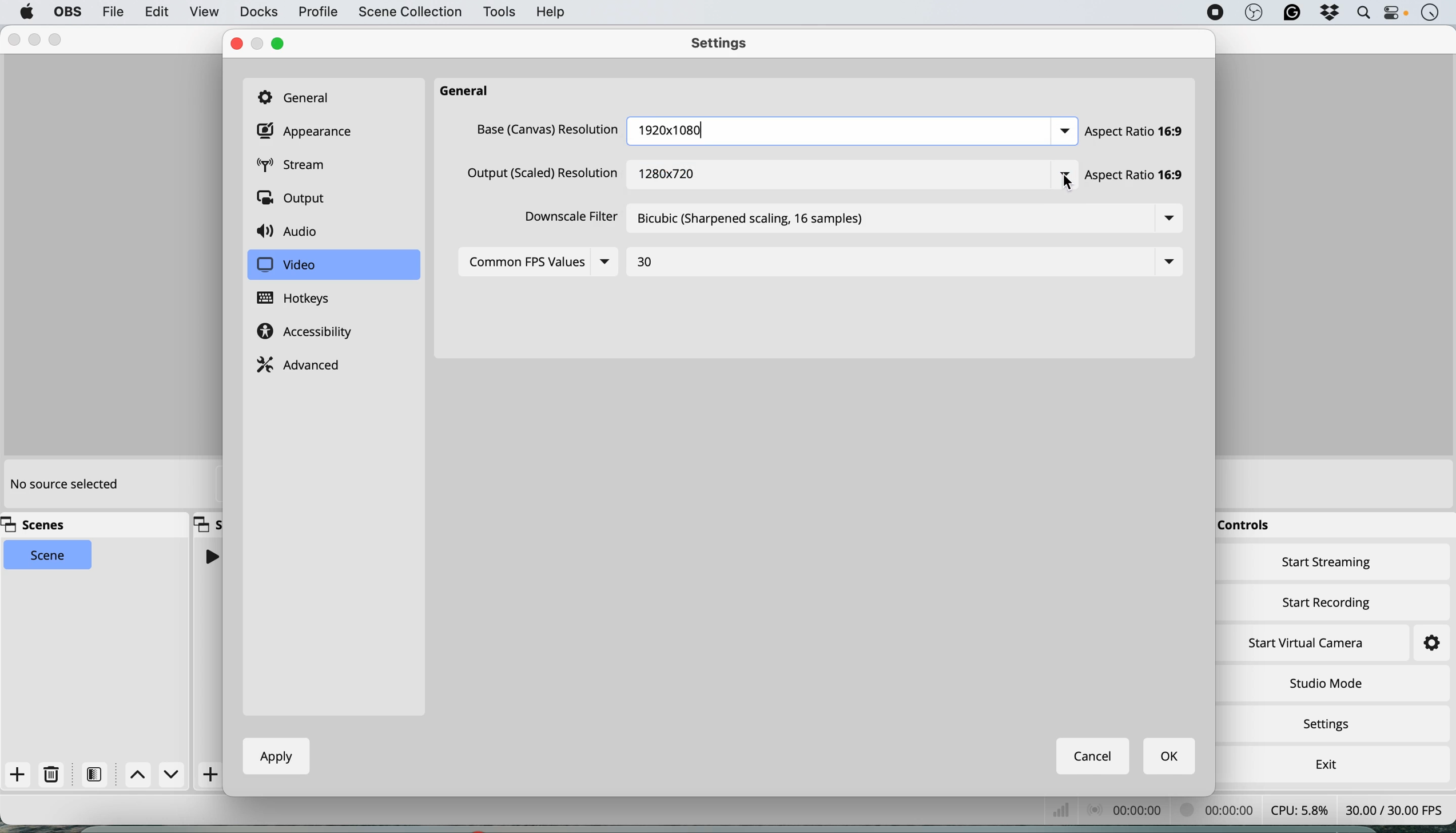 The image size is (1456, 833). Describe the element at coordinates (272, 756) in the screenshot. I see `apply` at that location.